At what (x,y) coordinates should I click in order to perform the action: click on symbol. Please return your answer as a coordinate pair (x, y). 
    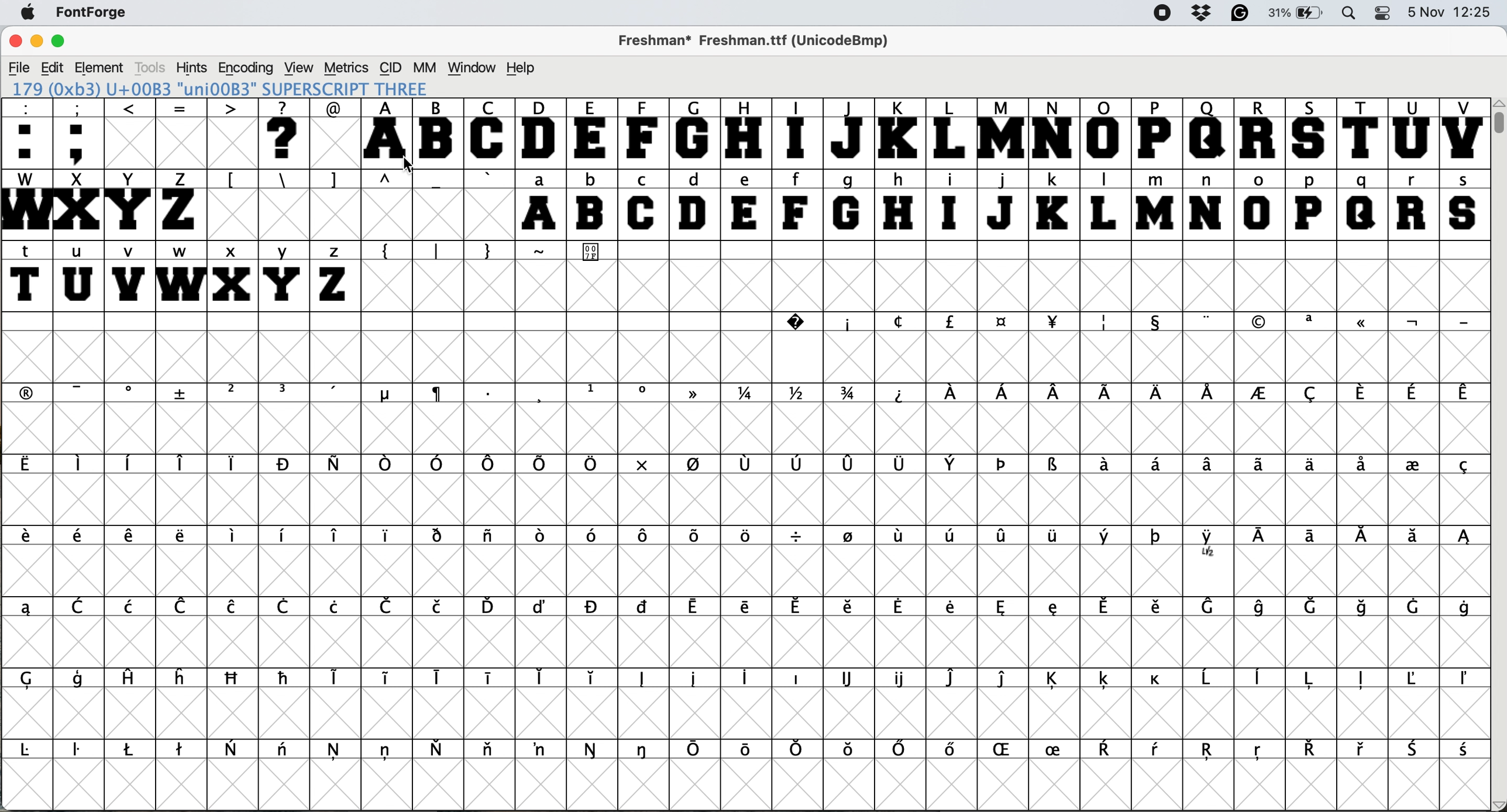
    Looking at the image, I should click on (1309, 749).